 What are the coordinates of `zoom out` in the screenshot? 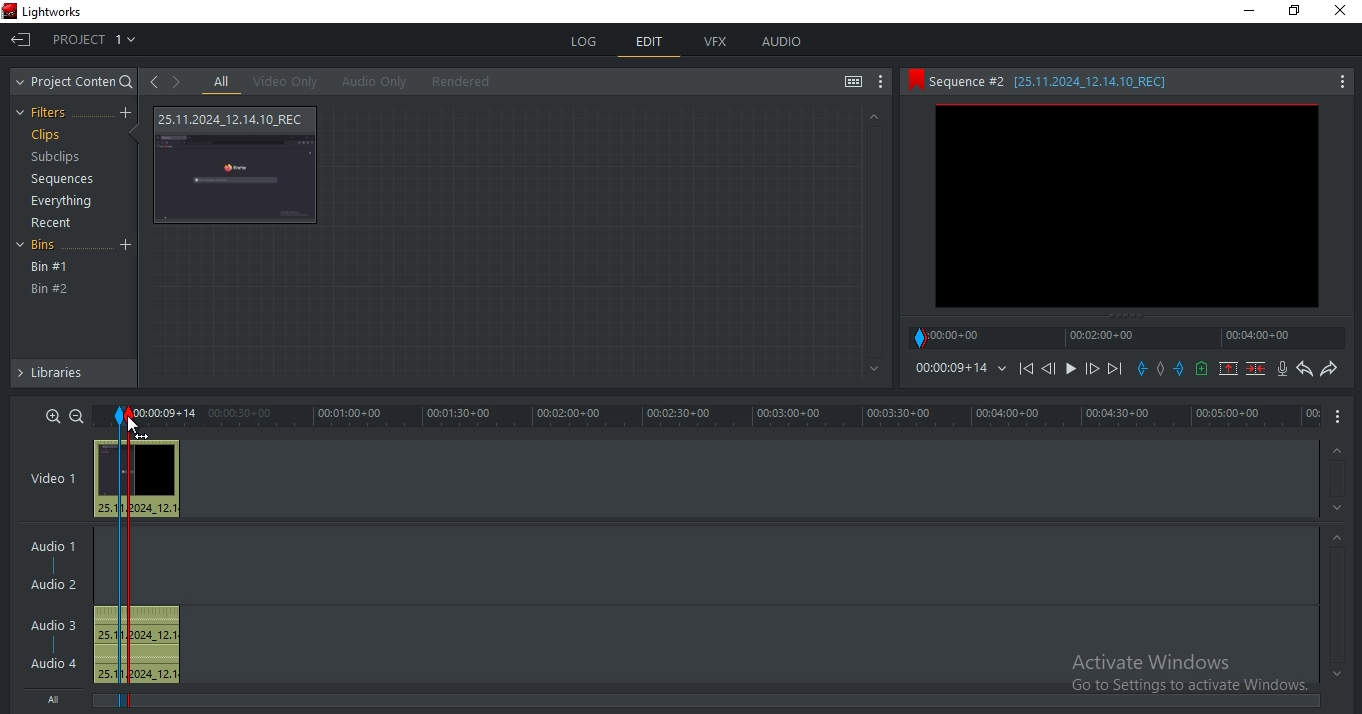 It's located at (76, 415).